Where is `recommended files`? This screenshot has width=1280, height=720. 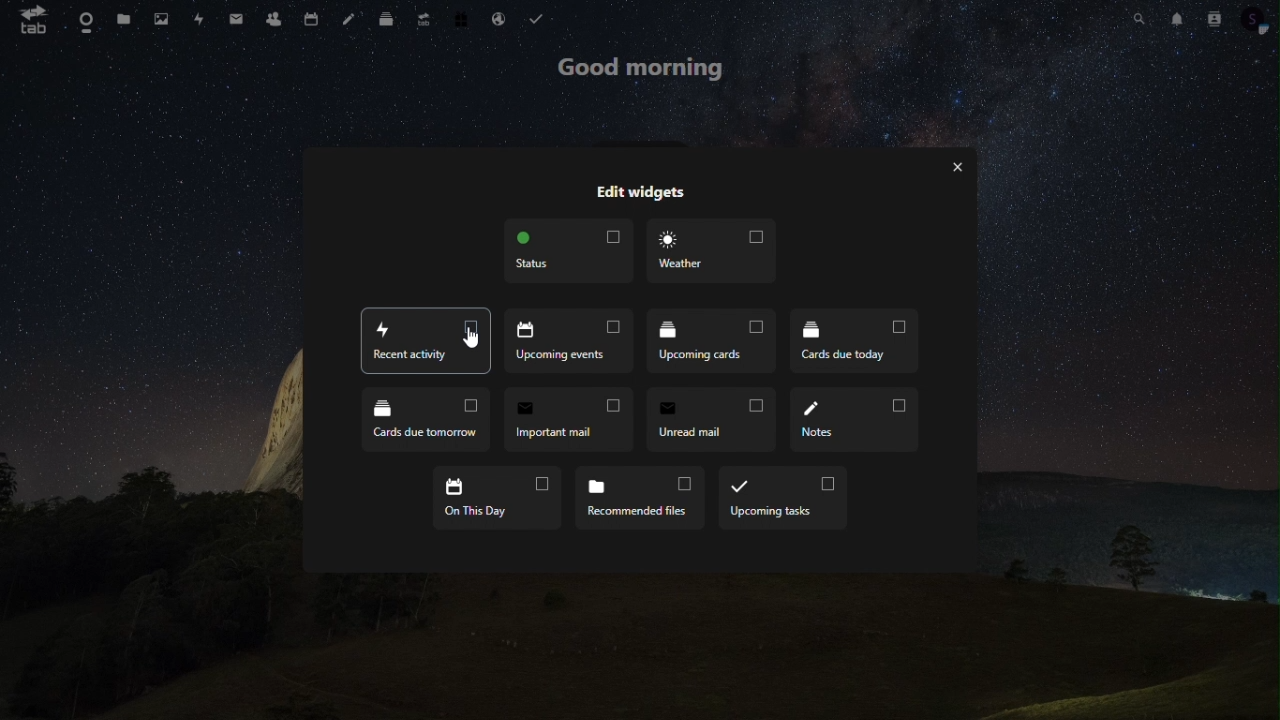 recommended files is located at coordinates (644, 496).